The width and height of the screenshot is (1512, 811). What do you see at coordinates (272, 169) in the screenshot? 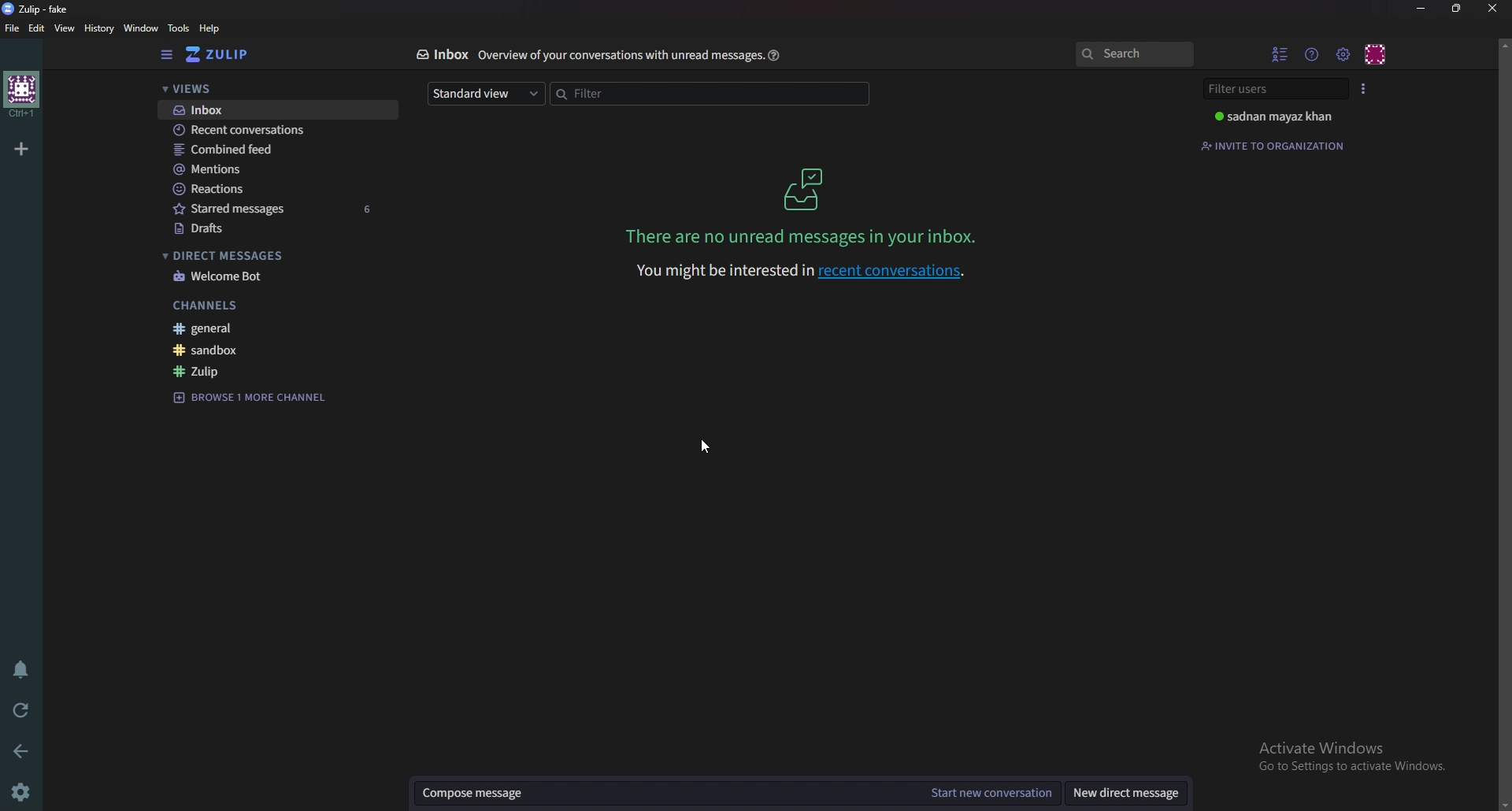
I see `Mentions` at bounding box center [272, 169].